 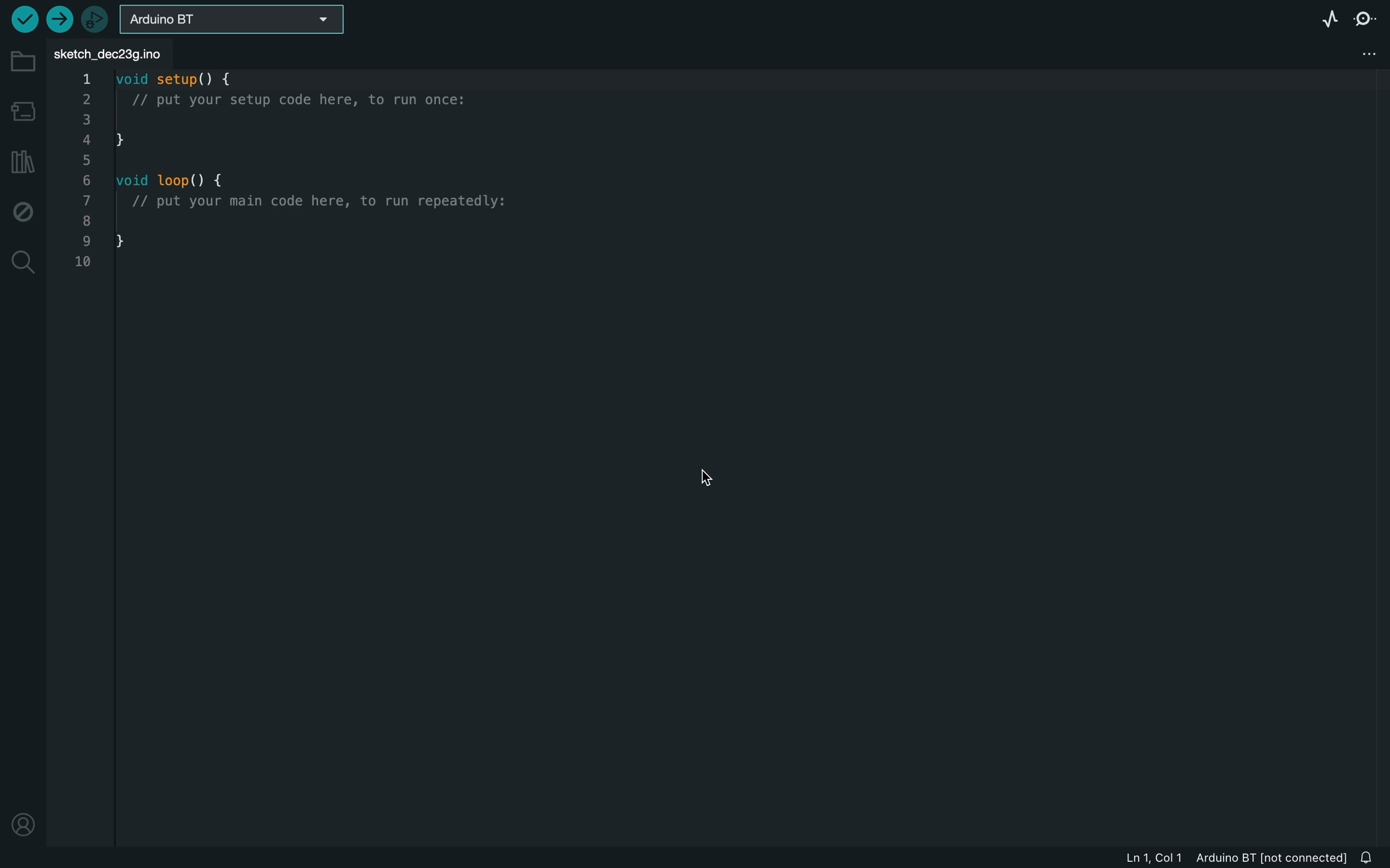 I want to click on debug, so click(x=24, y=212).